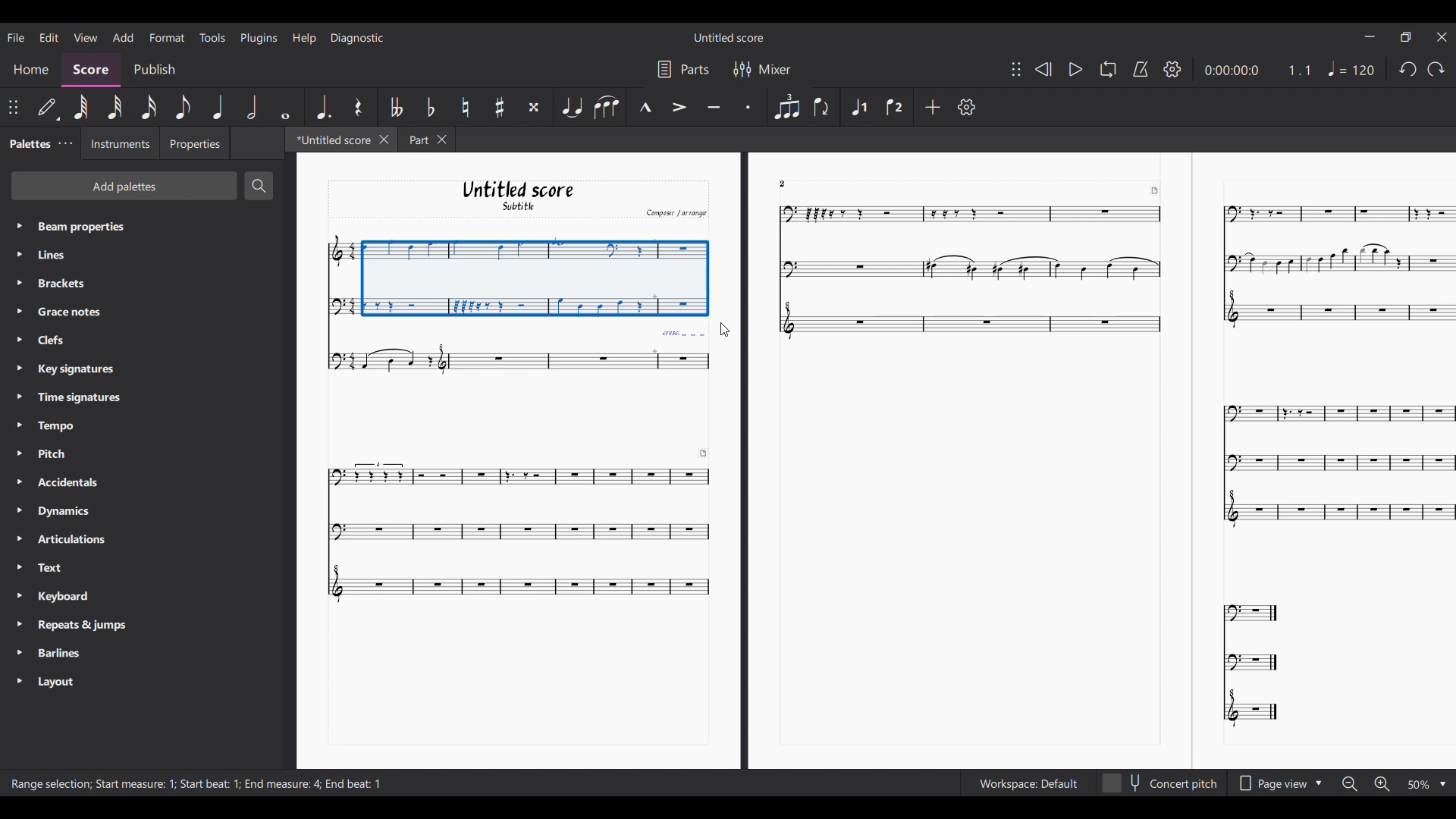 The image size is (1456, 819). What do you see at coordinates (1015, 68) in the screenshot?
I see `Change position` at bounding box center [1015, 68].